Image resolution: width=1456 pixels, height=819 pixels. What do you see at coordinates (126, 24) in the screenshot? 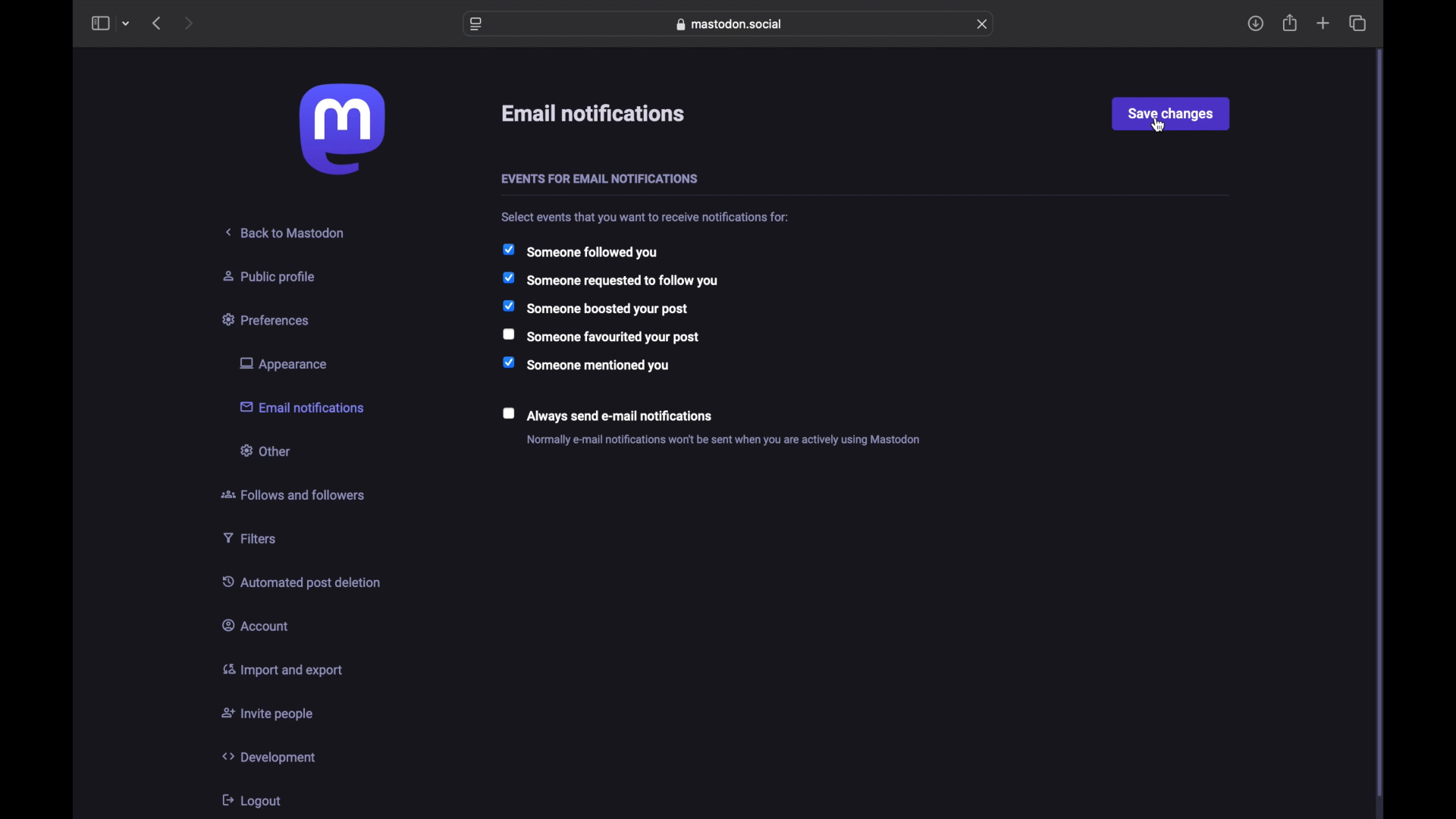
I see `tab group picker` at bounding box center [126, 24].